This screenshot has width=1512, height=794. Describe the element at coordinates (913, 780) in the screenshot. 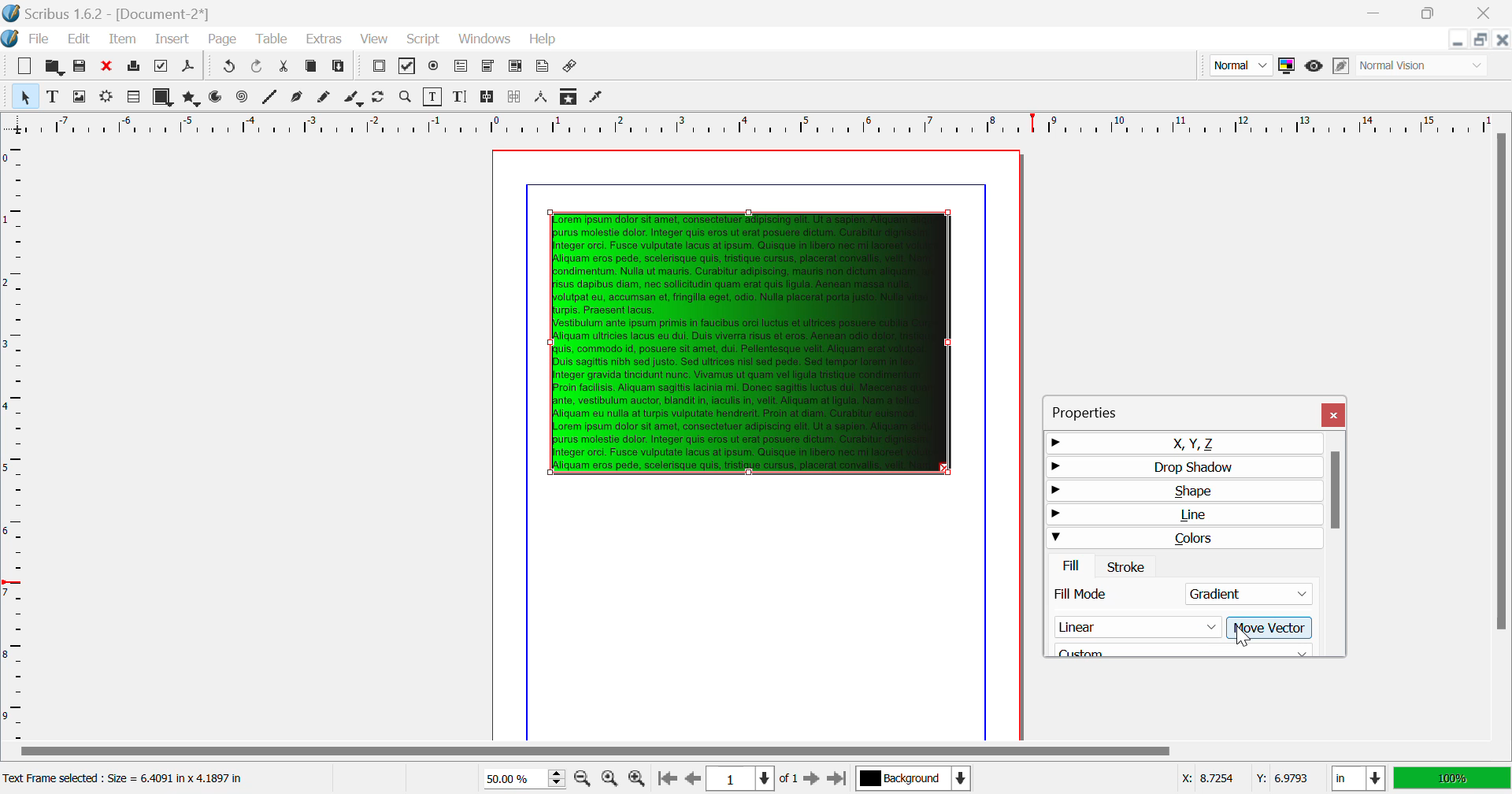

I see `Background` at that location.